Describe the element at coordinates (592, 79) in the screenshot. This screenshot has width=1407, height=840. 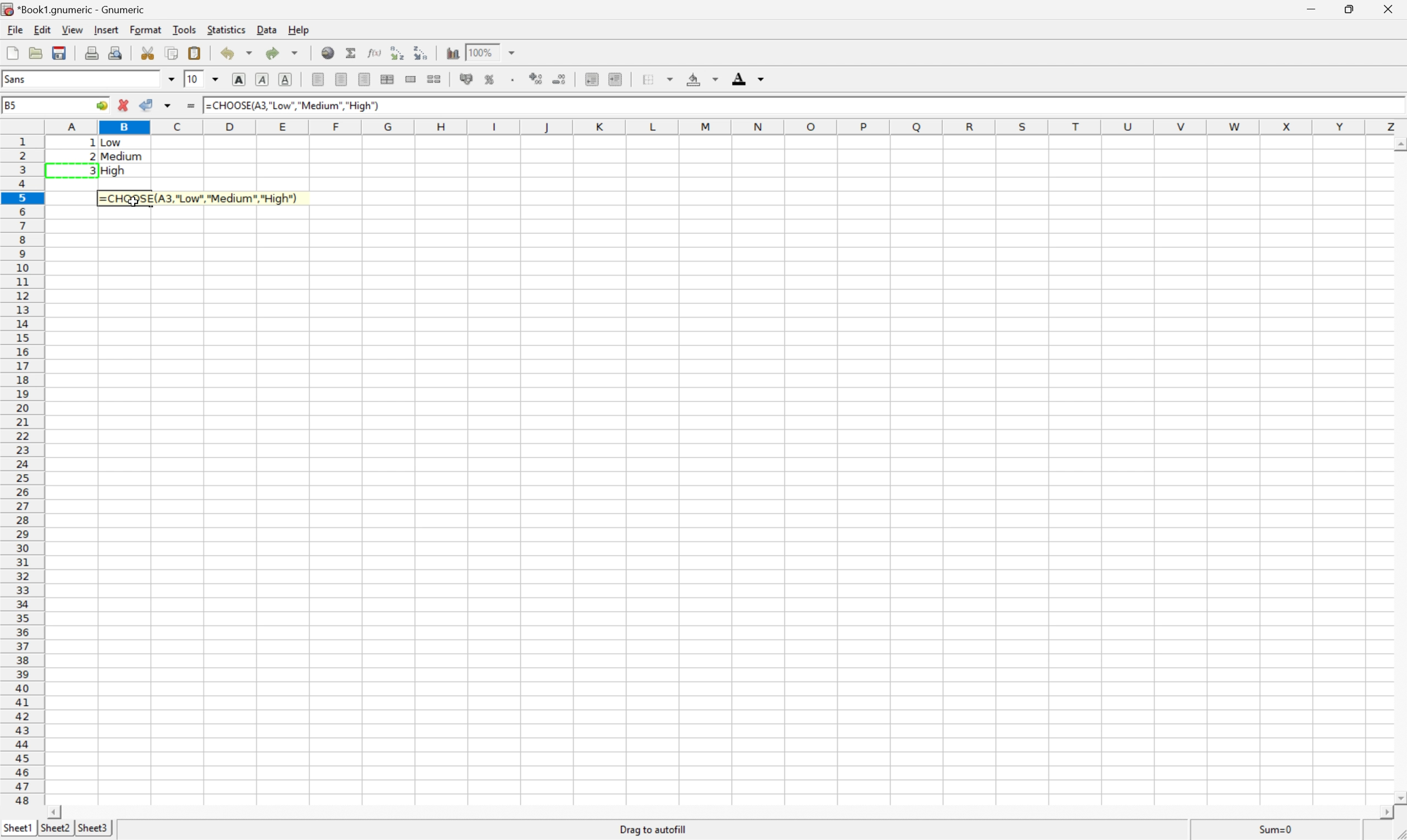
I see `Decrease indent, and align the contents to the left` at that location.